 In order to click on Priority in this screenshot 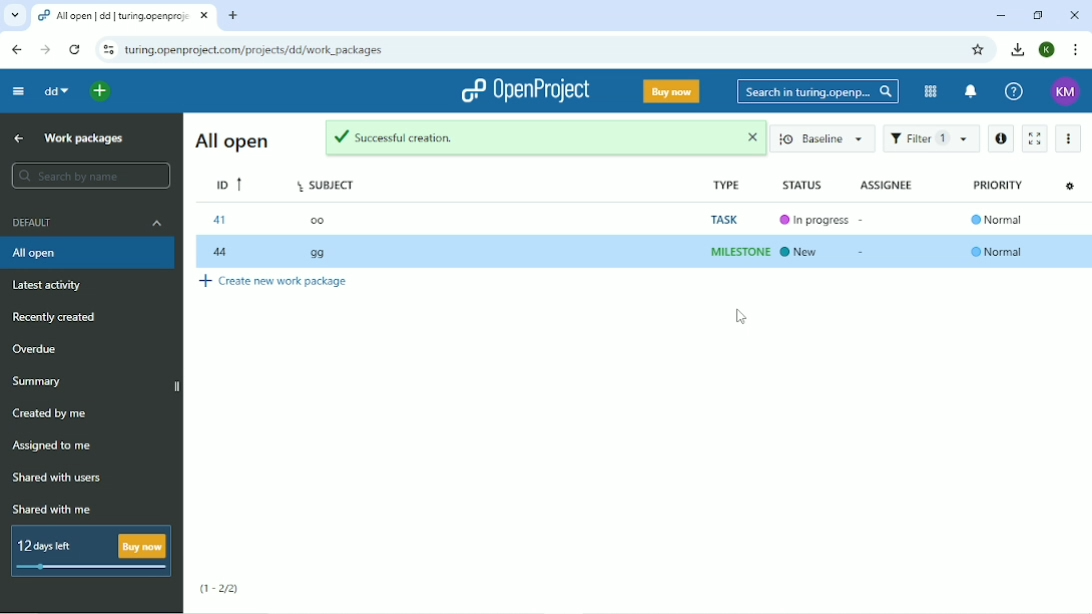, I will do `click(999, 185)`.